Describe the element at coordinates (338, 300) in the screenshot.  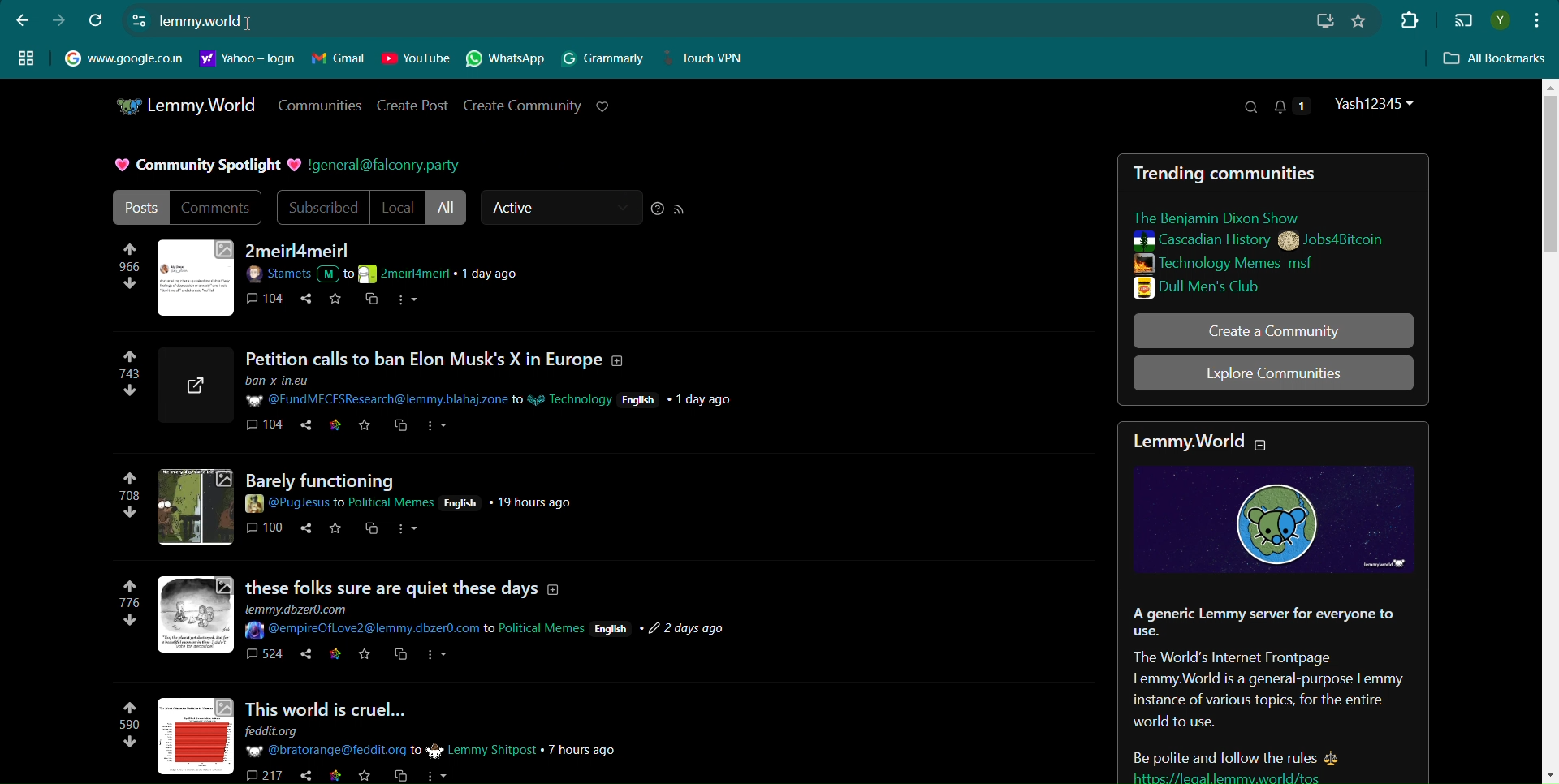
I see `Star` at that location.